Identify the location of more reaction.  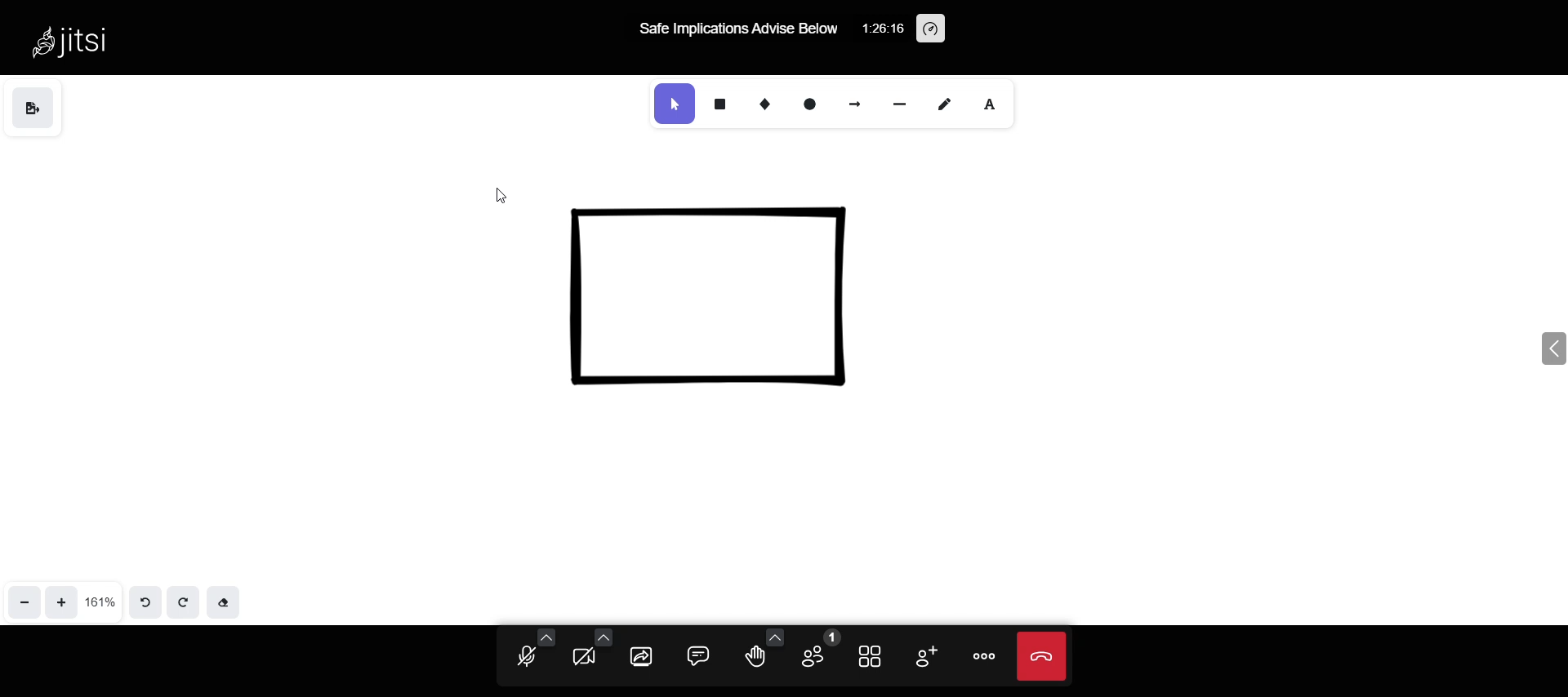
(771, 628).